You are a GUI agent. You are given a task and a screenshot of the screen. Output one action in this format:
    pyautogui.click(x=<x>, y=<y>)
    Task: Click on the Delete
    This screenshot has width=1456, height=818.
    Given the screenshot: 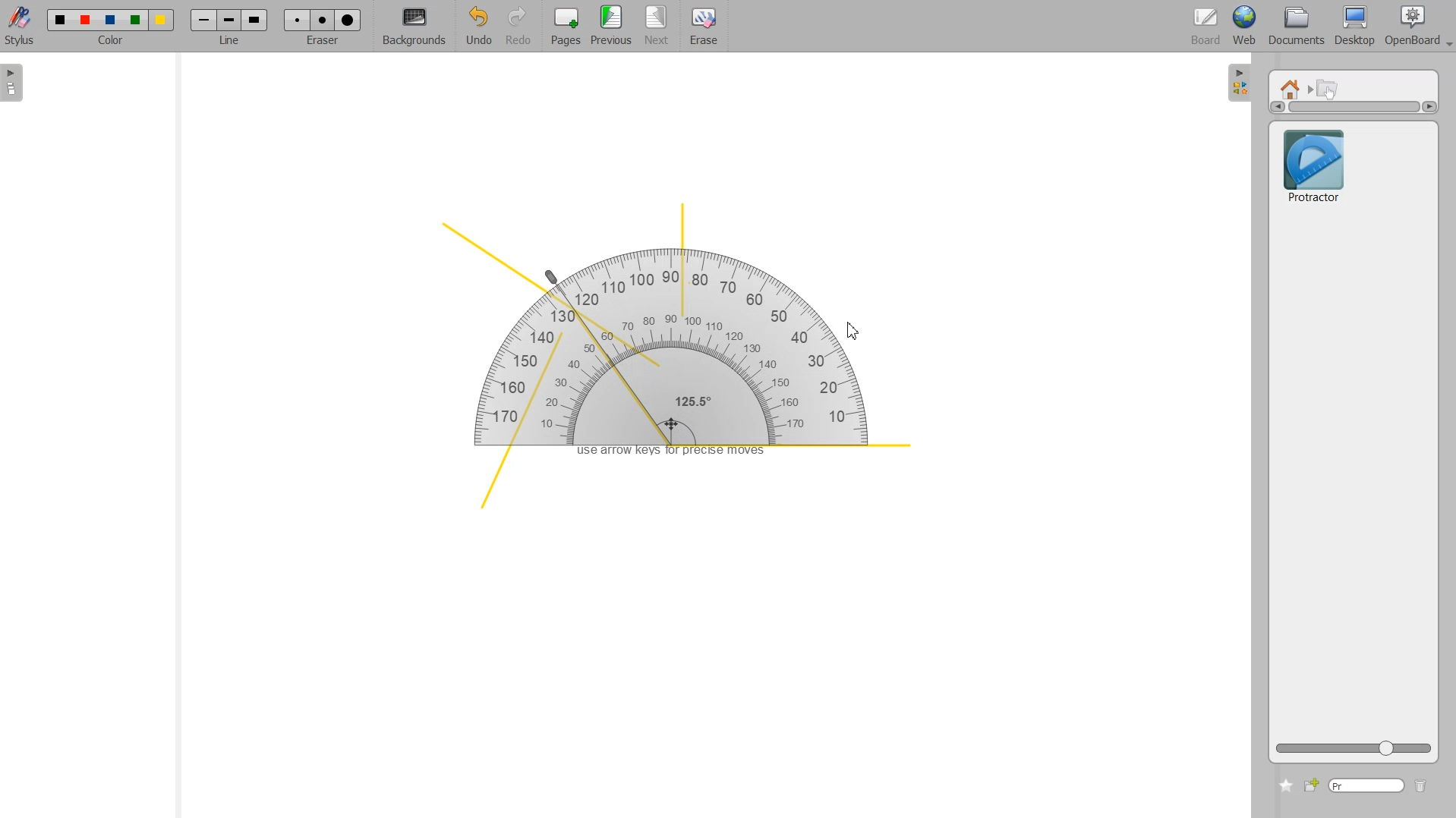 What is the action you would take?
    pyautogui.click(x=1421, y=787)
    